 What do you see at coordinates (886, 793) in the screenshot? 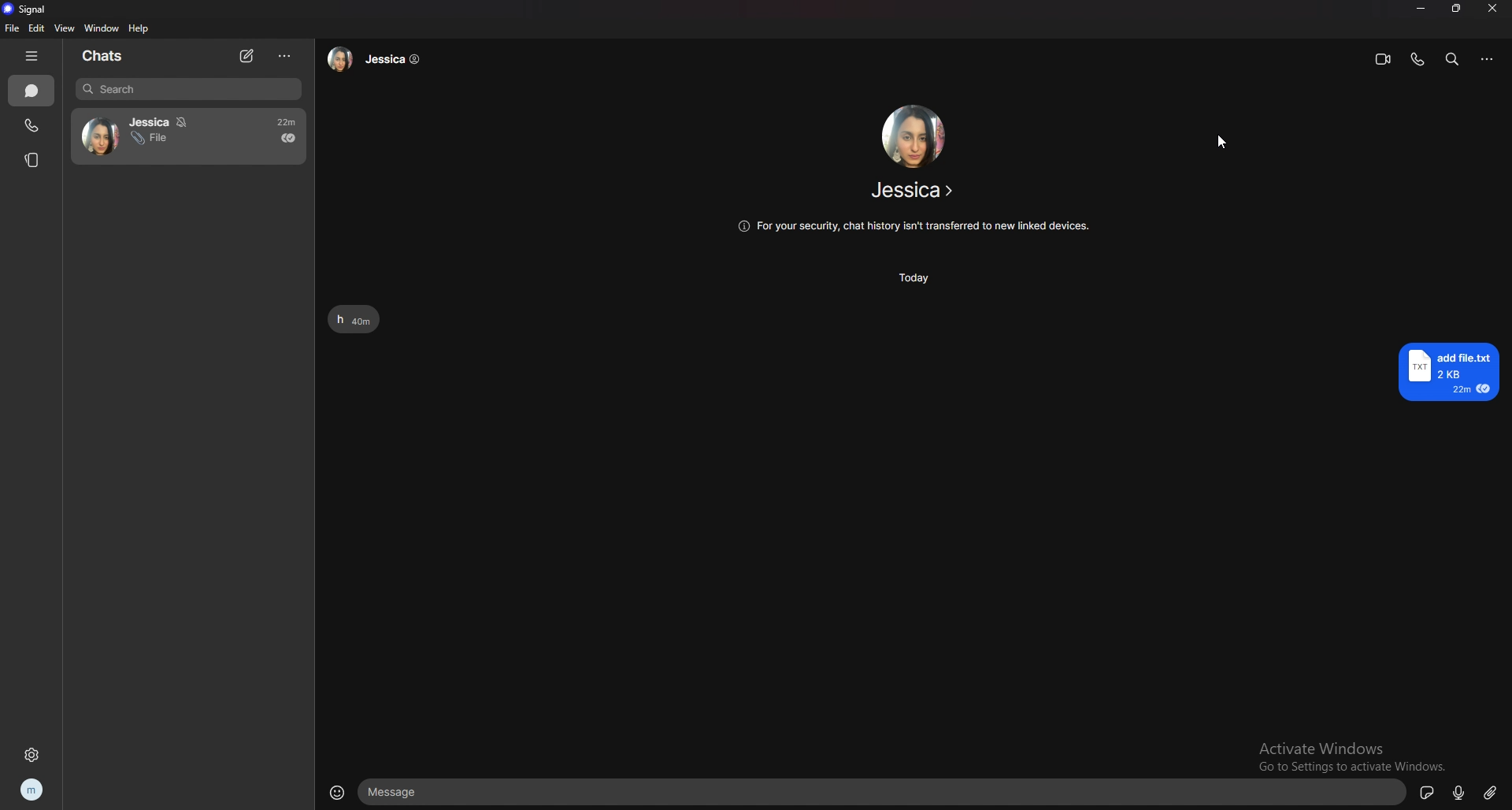
I see `text input` at bounding box center [886, 793].